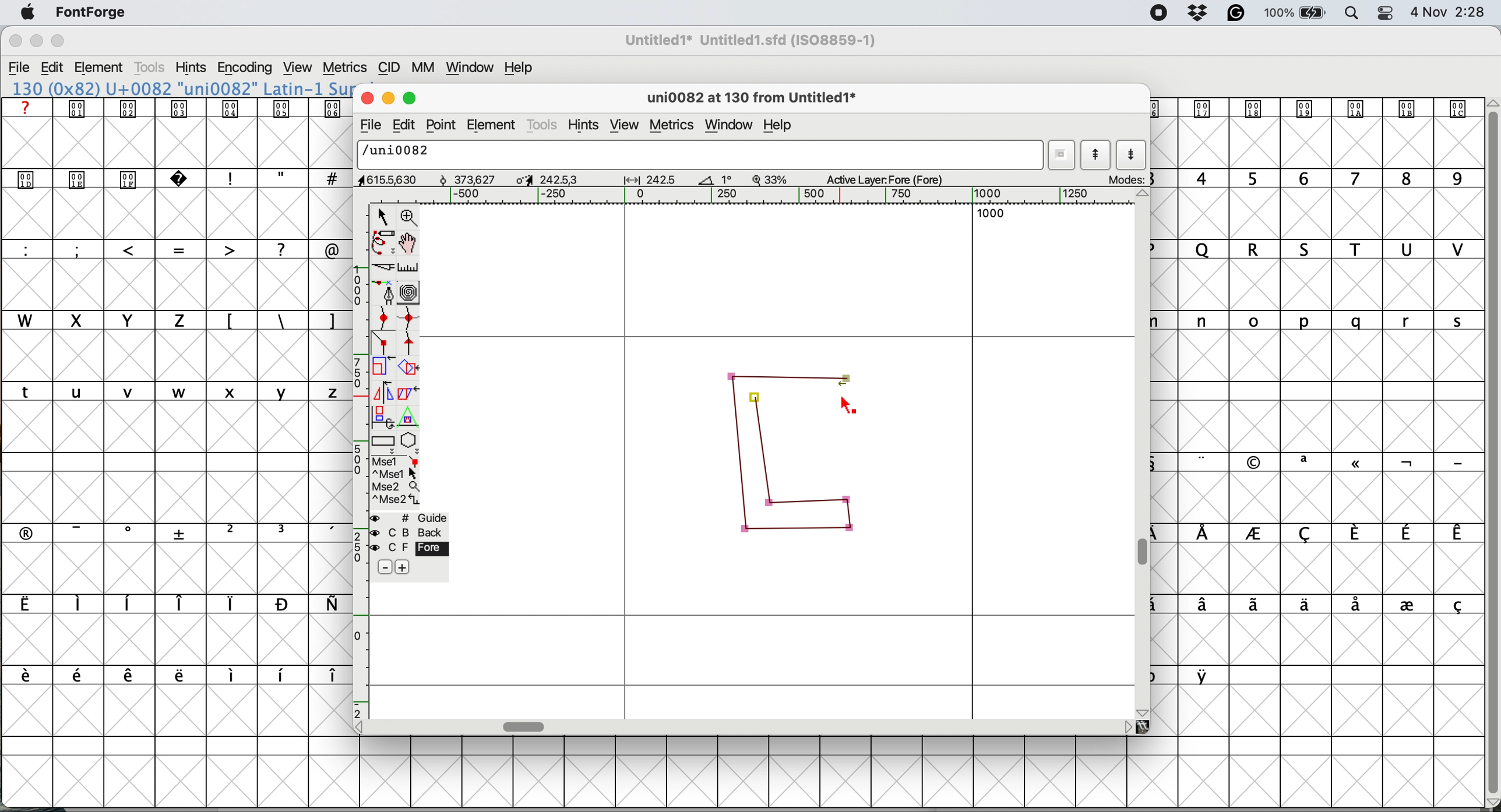  I want to click on rotate the selection, so click(409, 369).